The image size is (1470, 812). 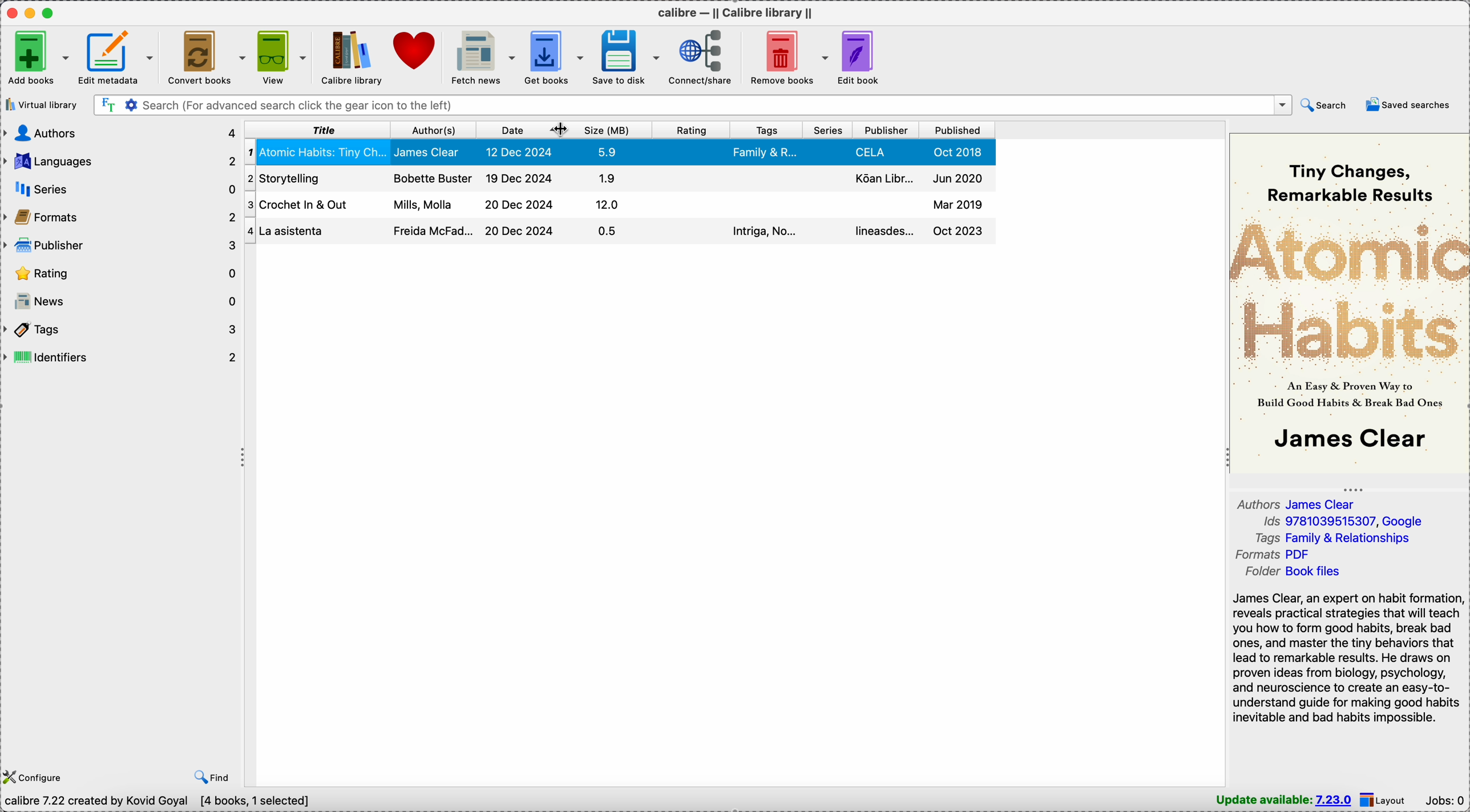 I want to click on formats PDF, so click(x=1269, y=554).